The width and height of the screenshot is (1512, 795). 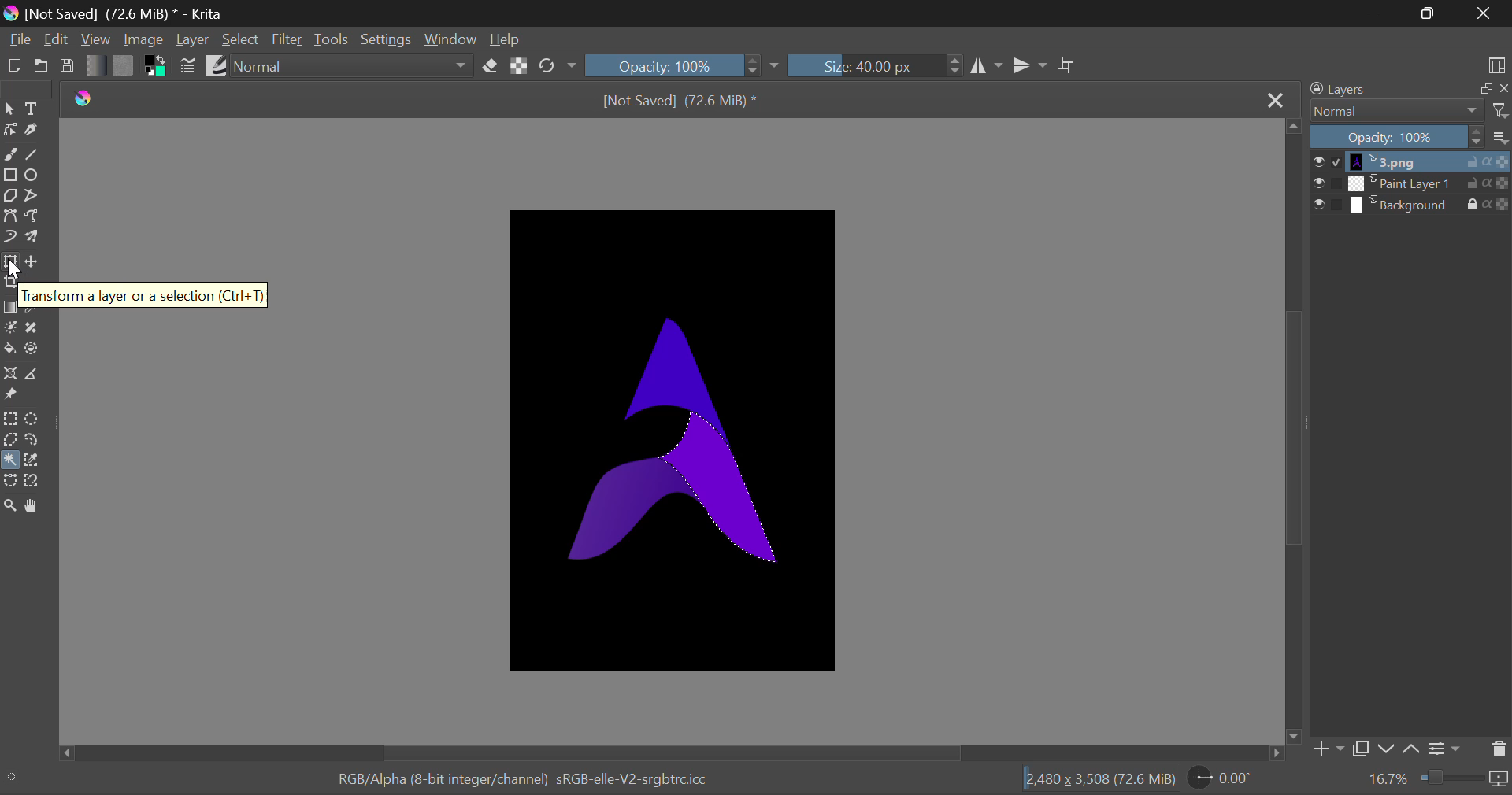 I want to click on Zoom slider, so click(x=1451, y=777).